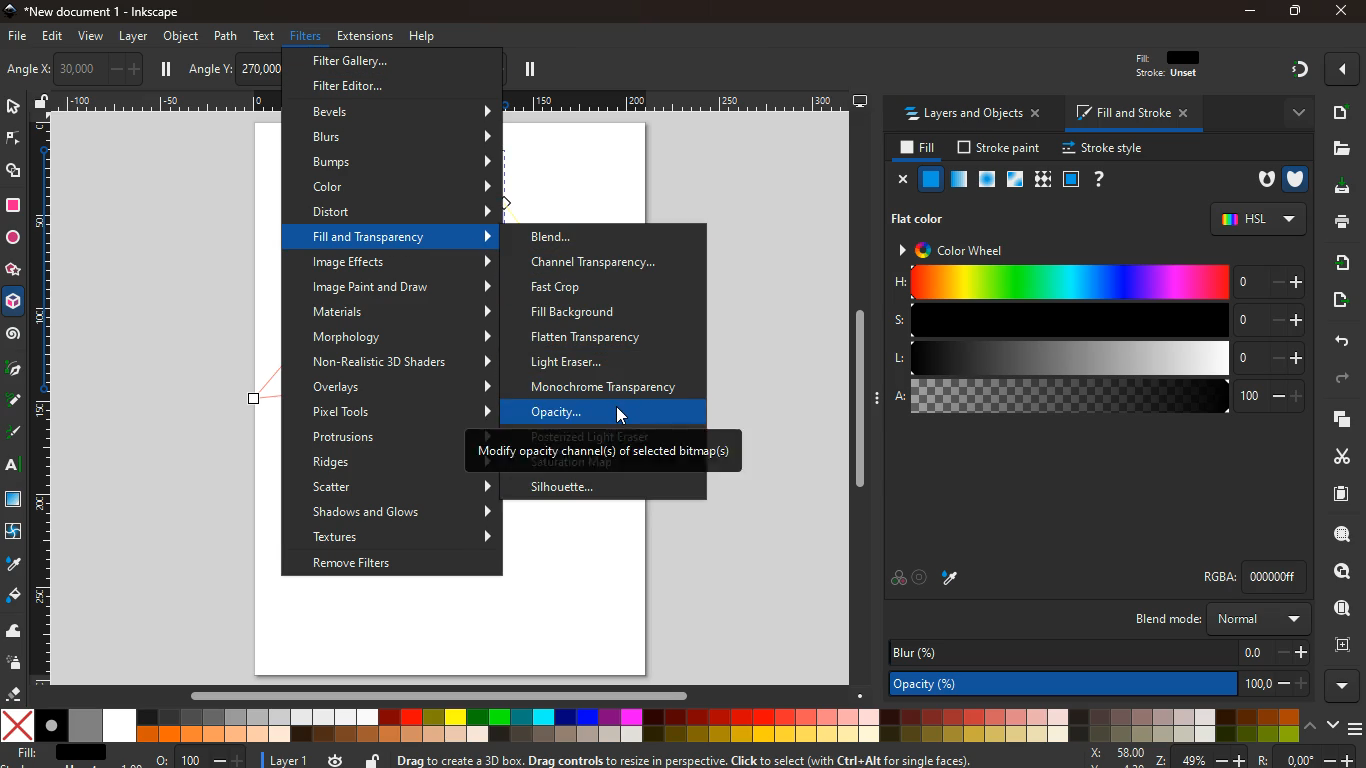  Describe the element at coordinates (15, 664) in the screenshot. I see `spray` at that location.